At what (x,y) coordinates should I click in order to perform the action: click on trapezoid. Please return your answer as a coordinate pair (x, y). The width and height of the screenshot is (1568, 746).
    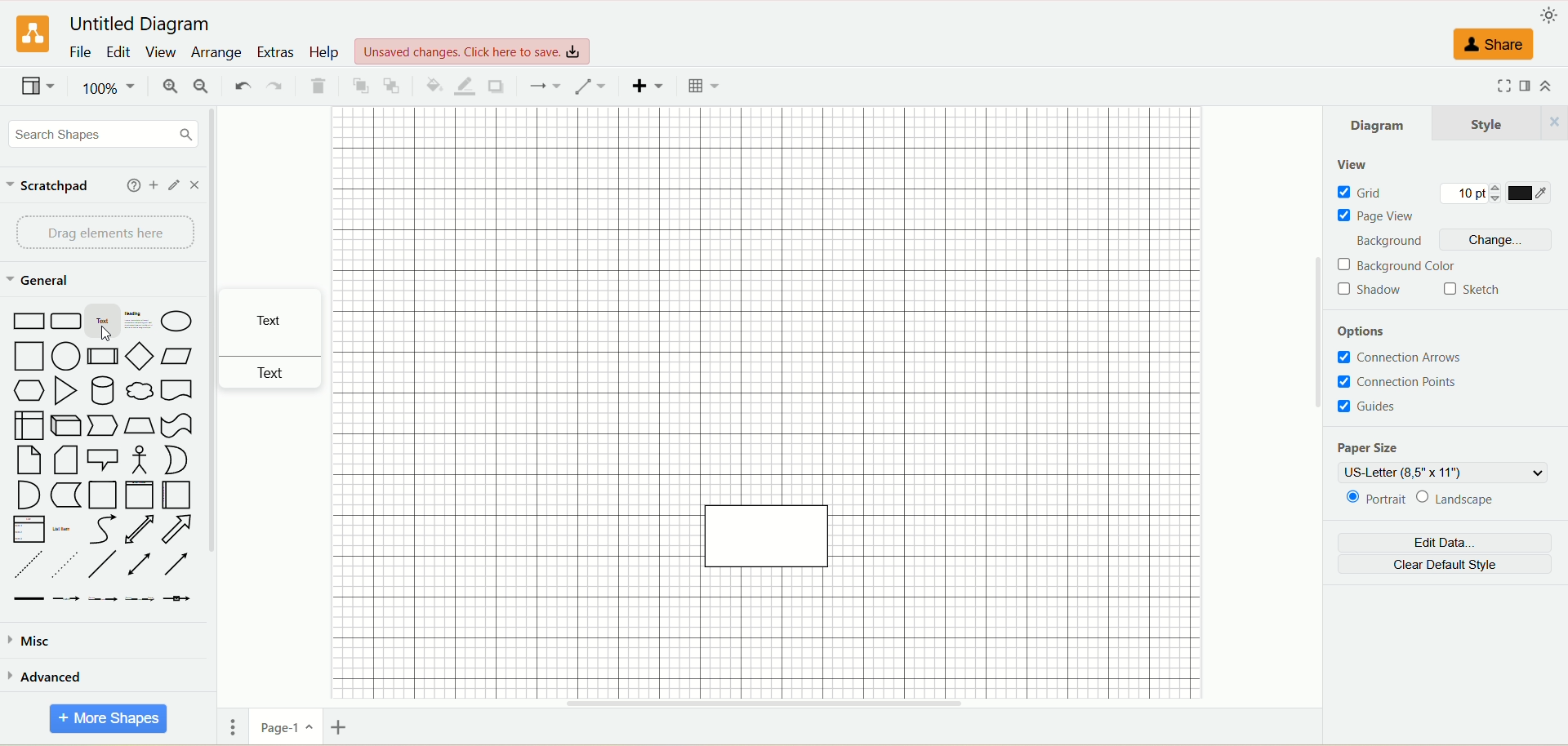
    Looking at the image, I should click on (138, 425).